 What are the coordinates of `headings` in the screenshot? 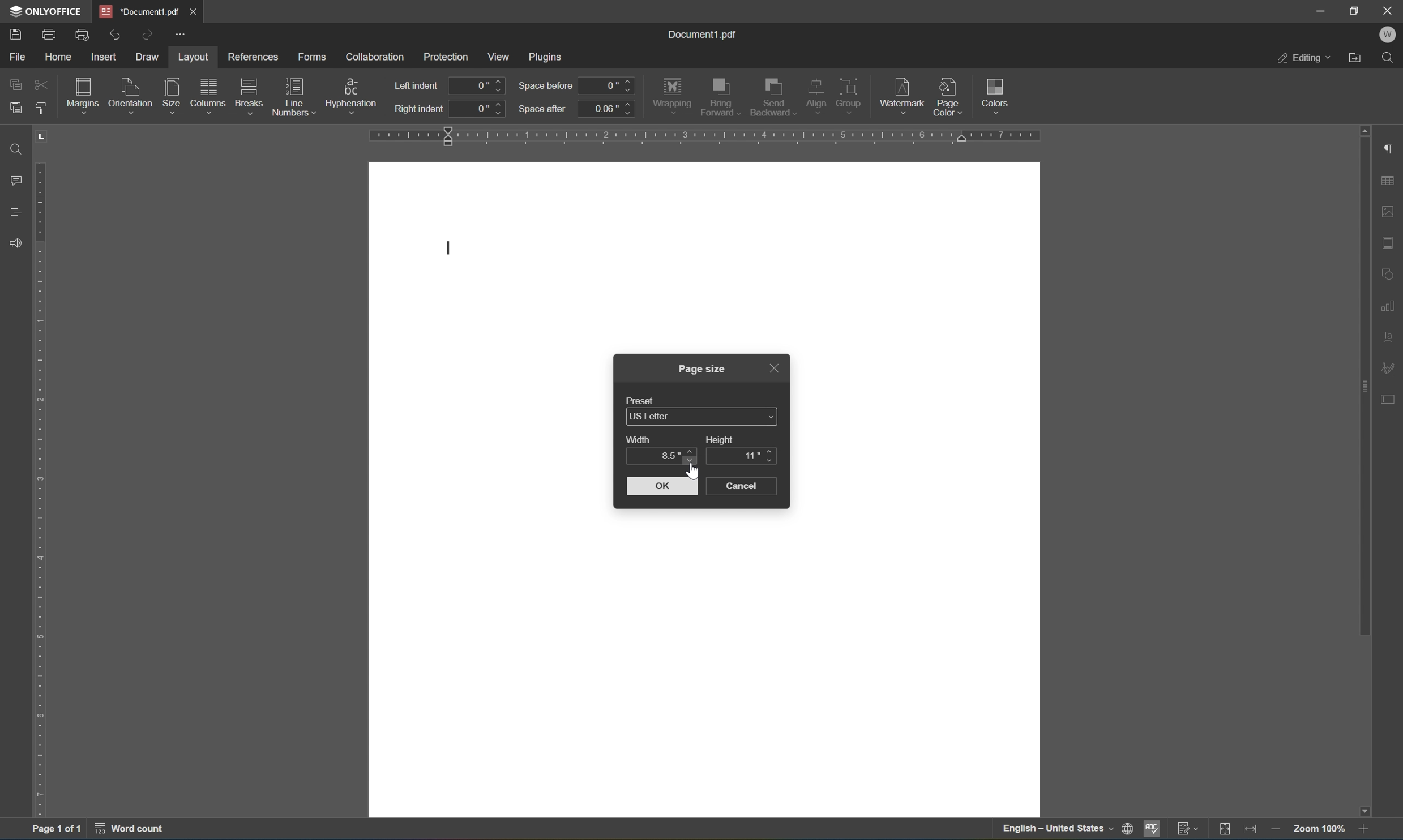 It's located at (12, 213).